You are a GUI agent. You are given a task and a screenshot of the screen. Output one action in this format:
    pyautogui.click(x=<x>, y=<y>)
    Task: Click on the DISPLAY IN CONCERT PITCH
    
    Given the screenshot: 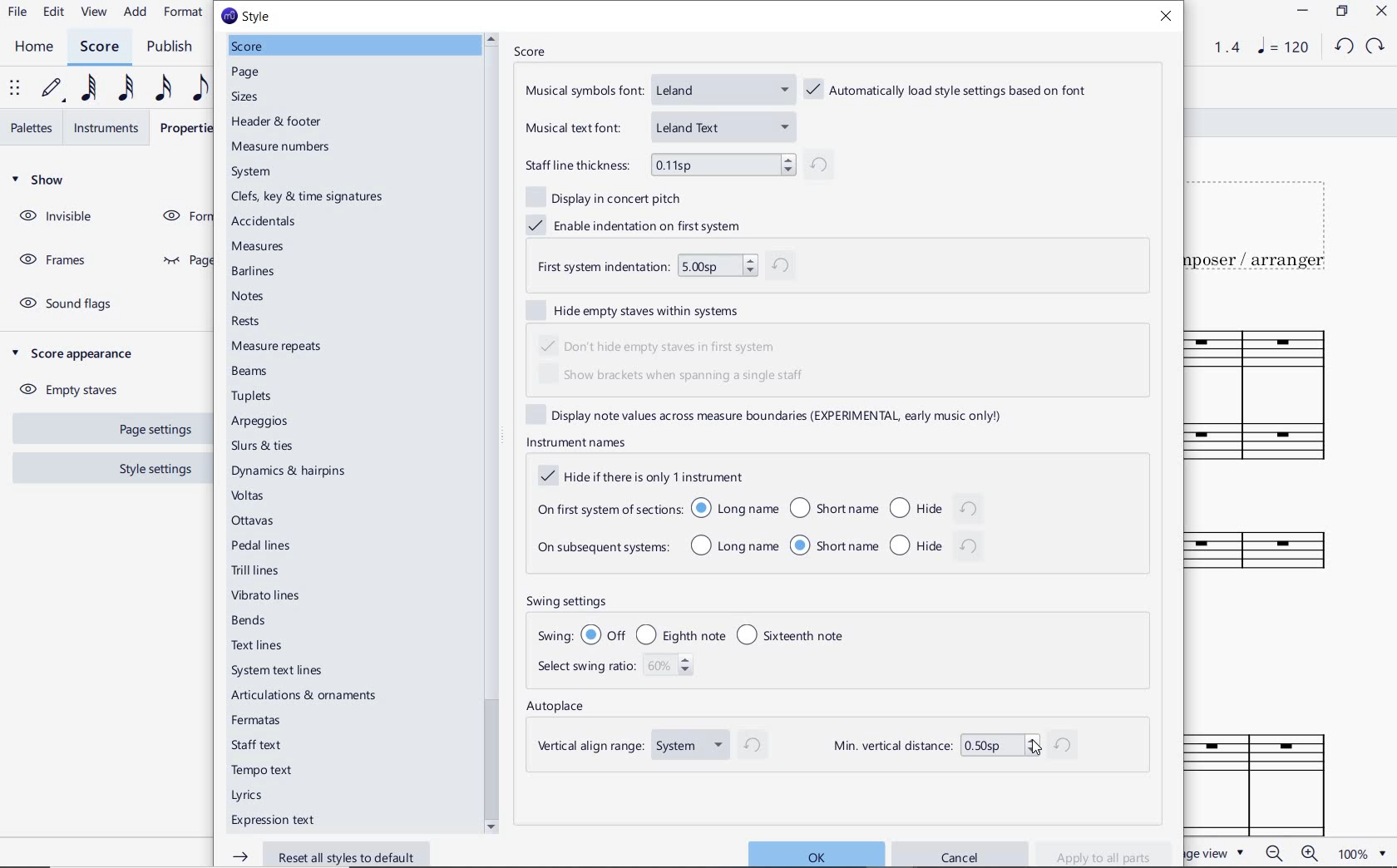 What is the action you would take?
    pyautogui.click(x=610, y=196)
    